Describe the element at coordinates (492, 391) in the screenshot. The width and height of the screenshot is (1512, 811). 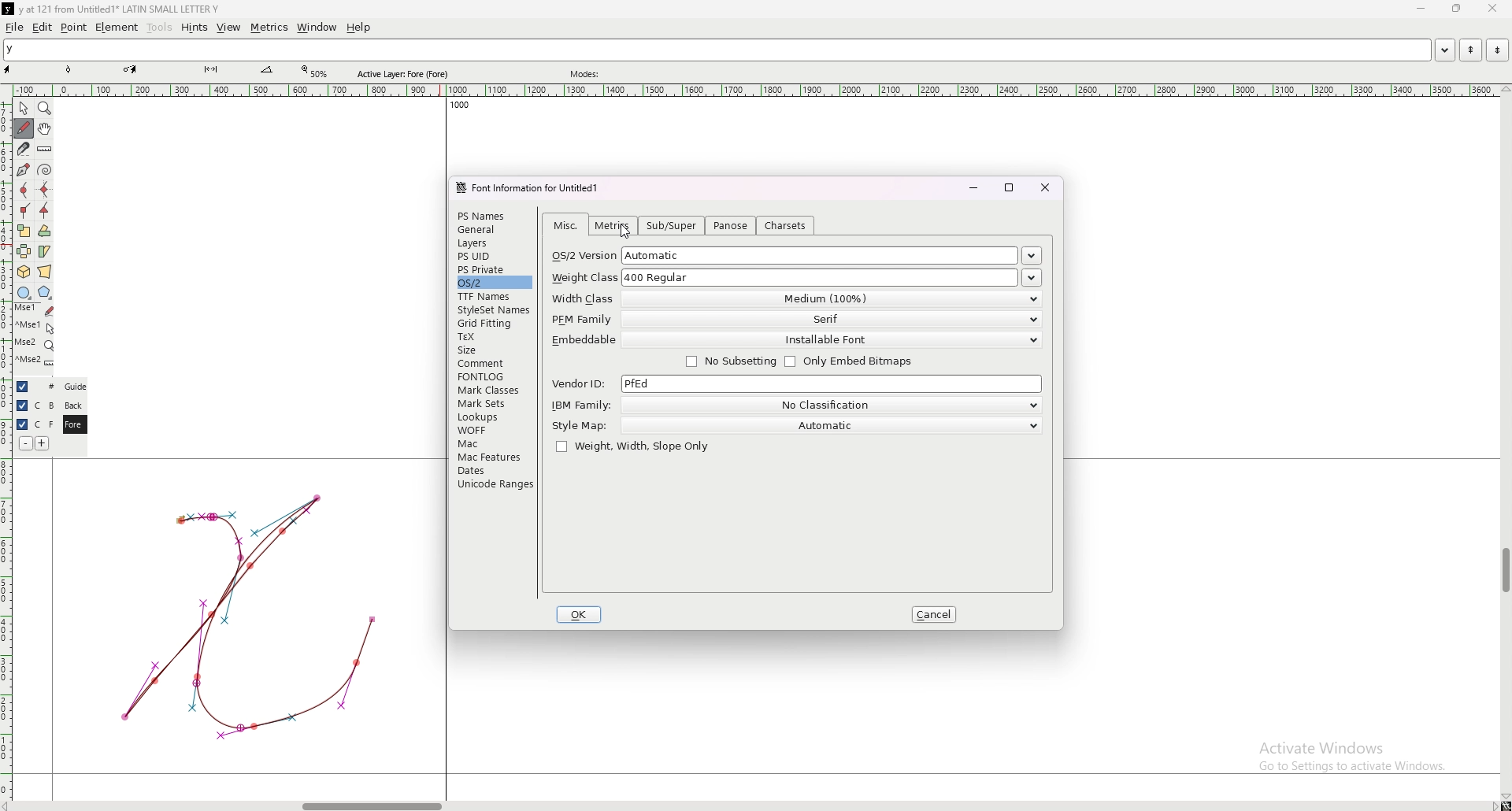
I see `mark classes` at that location.